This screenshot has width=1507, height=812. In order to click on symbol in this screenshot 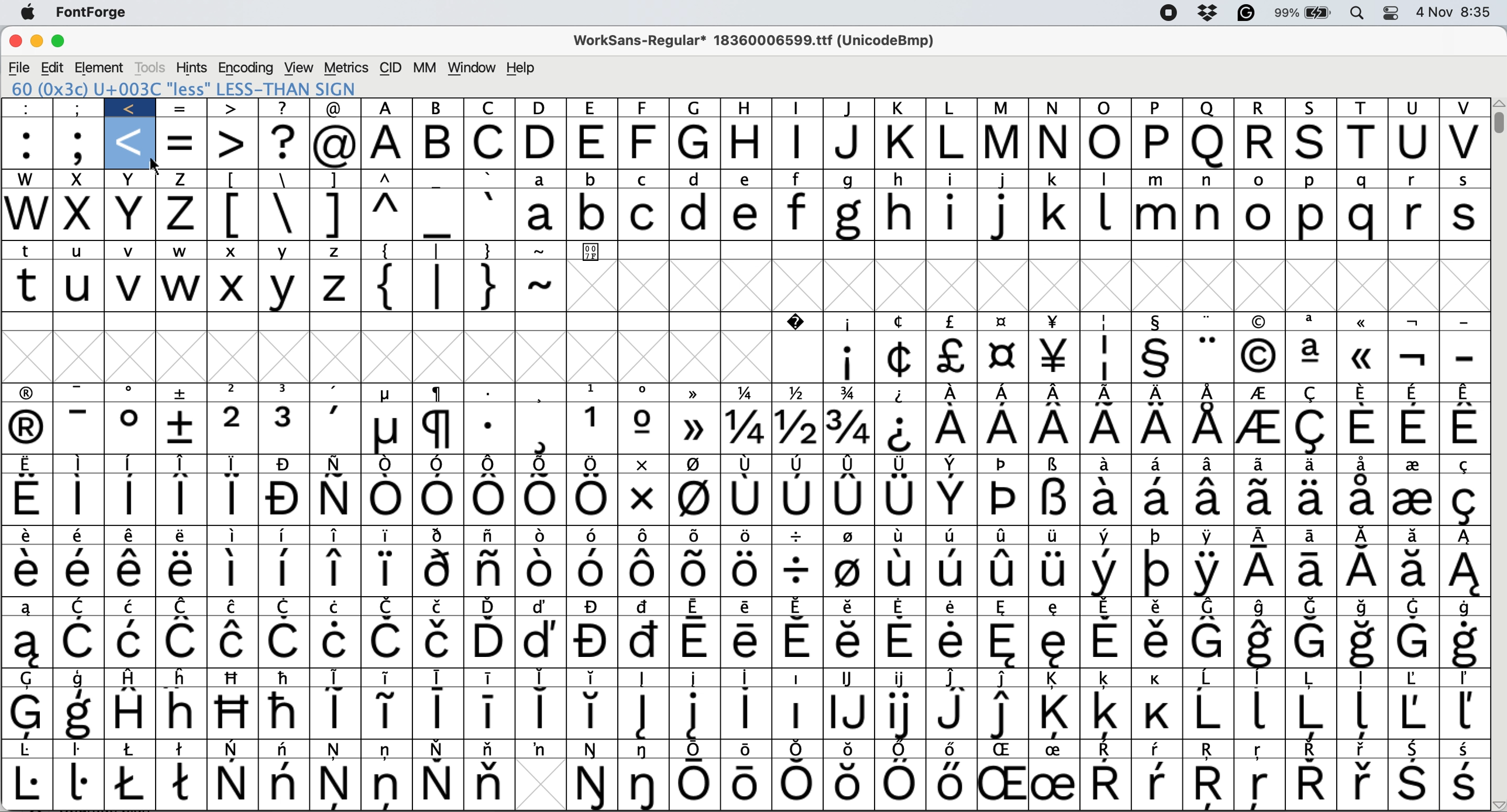, I will do `click(796, 714)`.